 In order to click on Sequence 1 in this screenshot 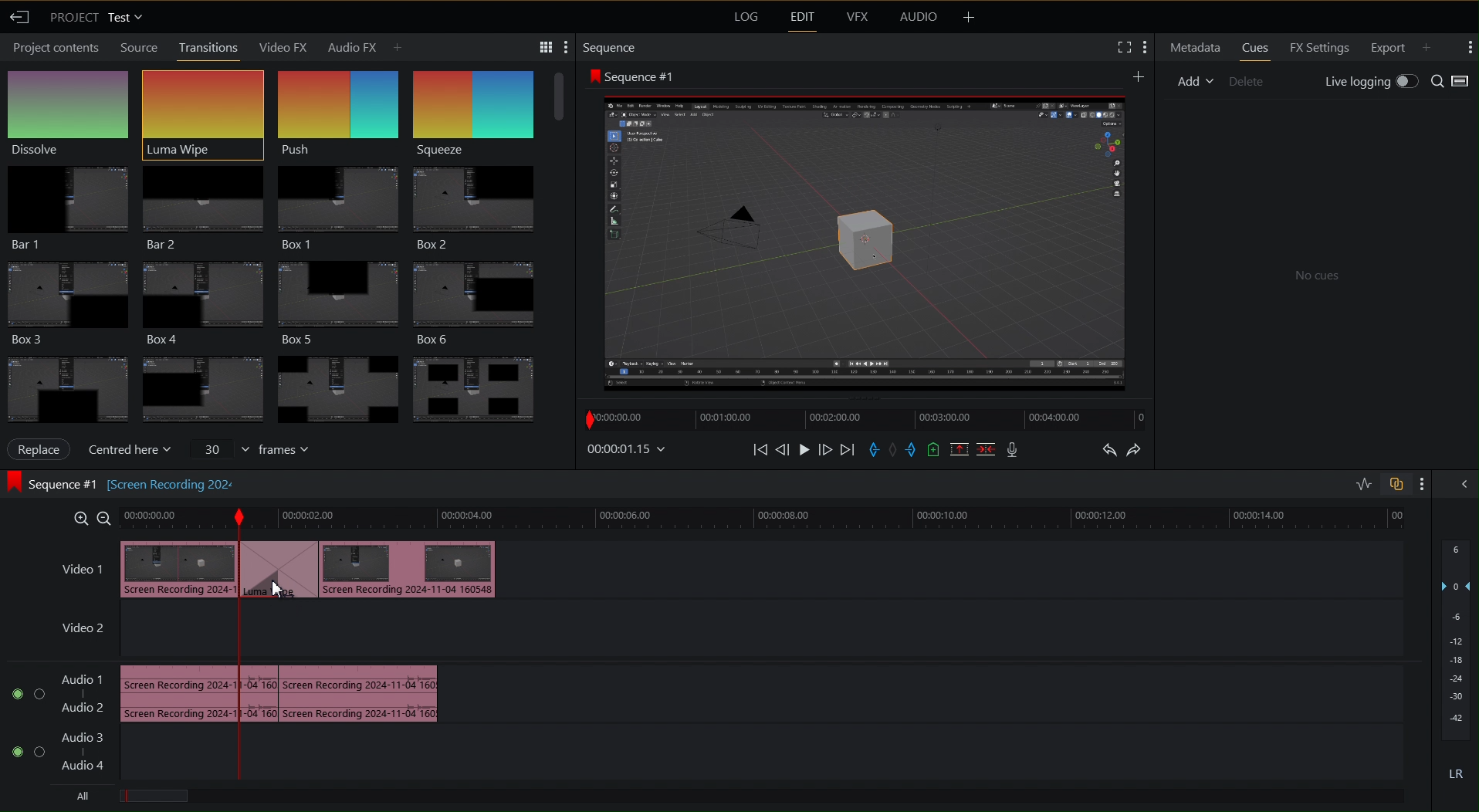, I will do `click(631, 75)`.